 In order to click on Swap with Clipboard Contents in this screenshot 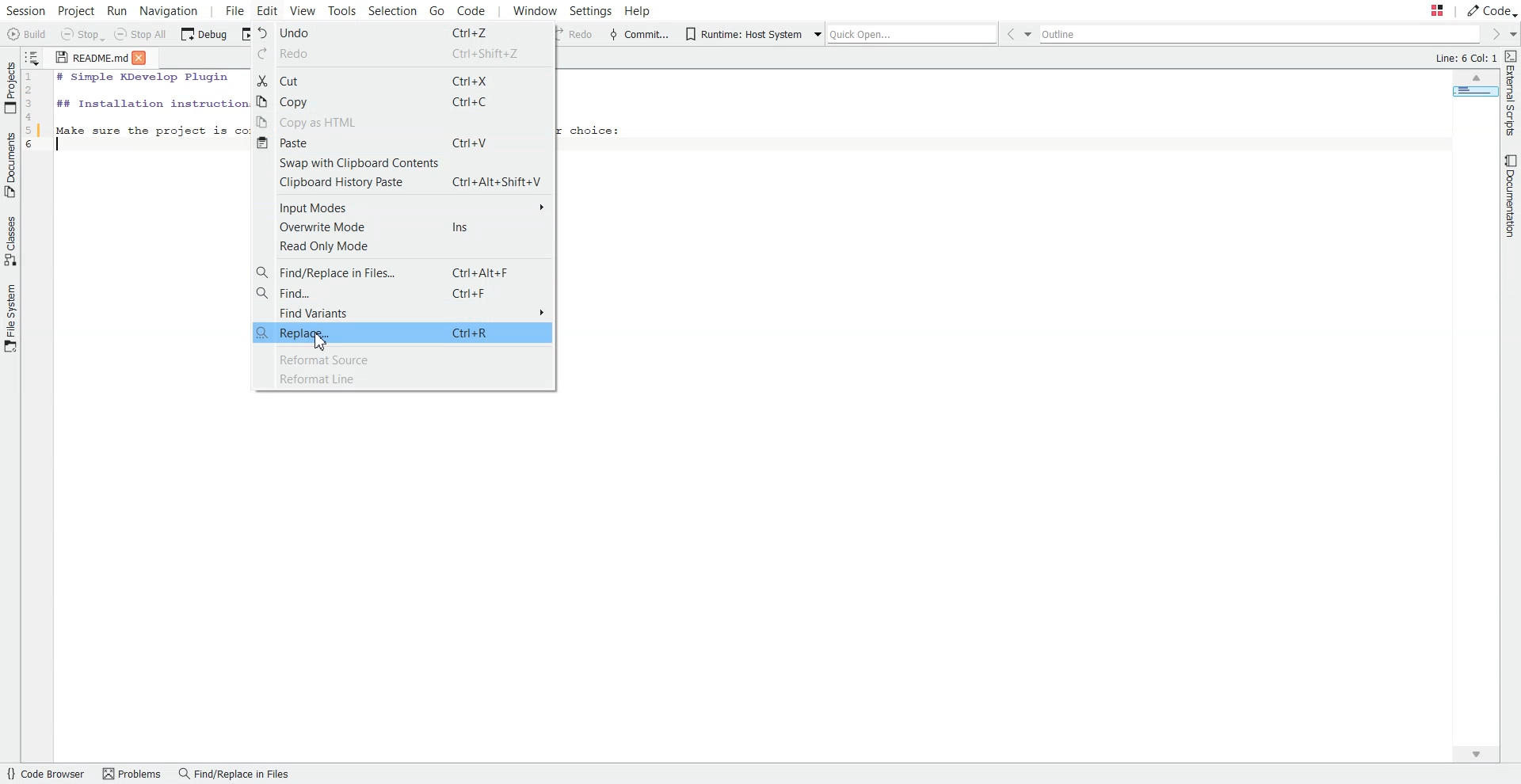, I will do `click(403, 162)`.